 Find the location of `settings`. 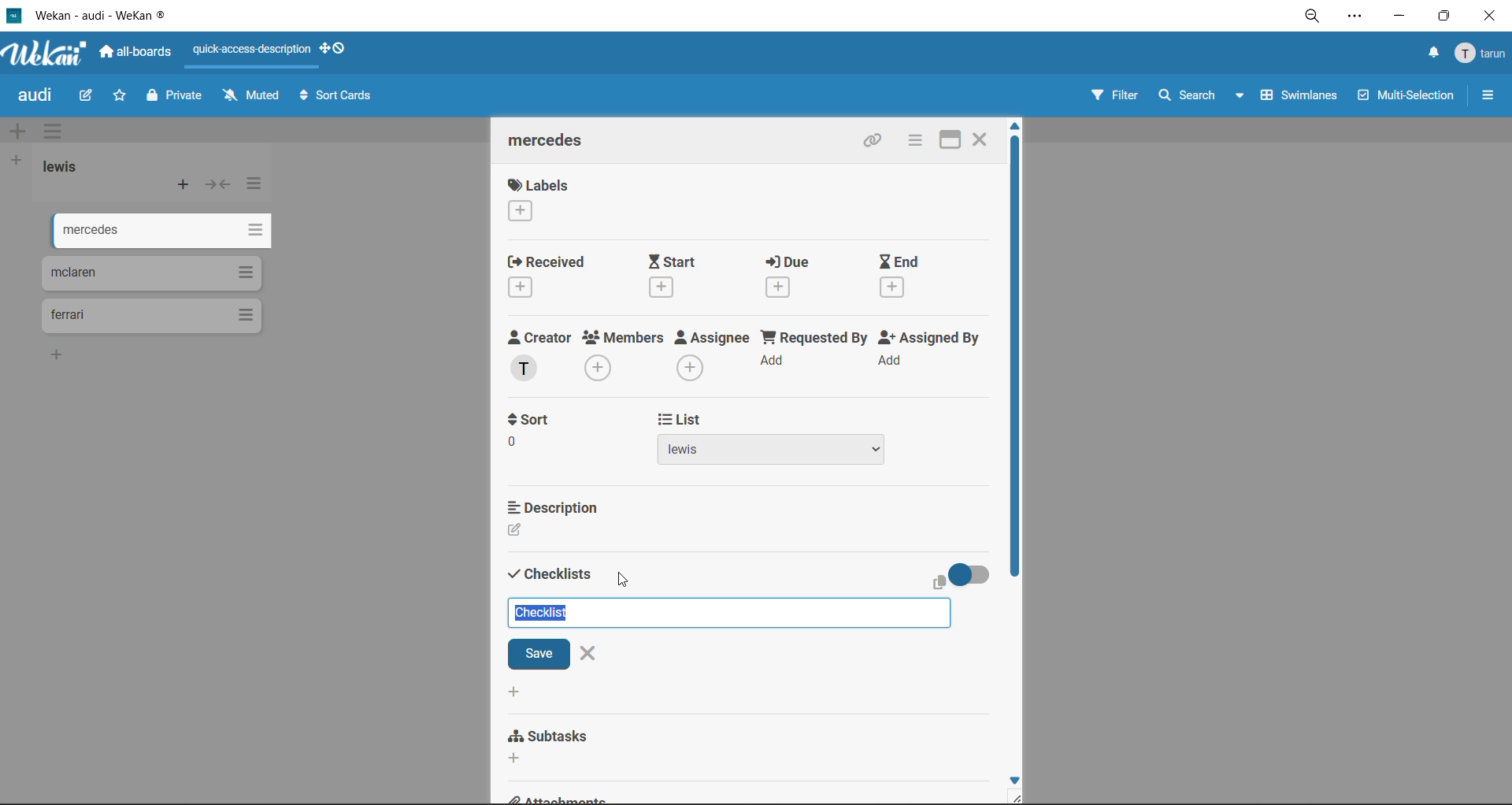

settings is located at coordinates (1358, 19).